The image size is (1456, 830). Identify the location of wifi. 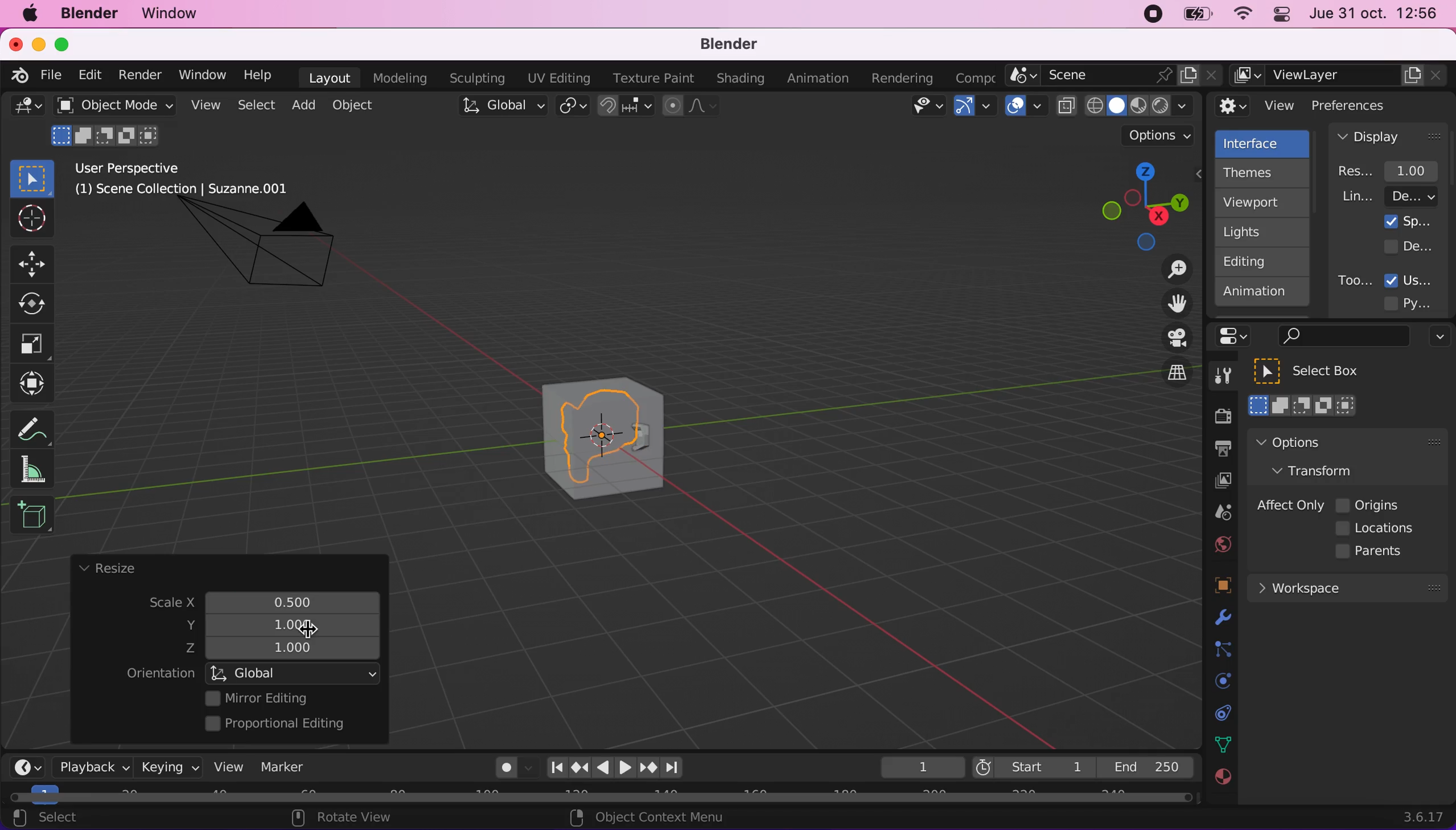
(1239, 17).